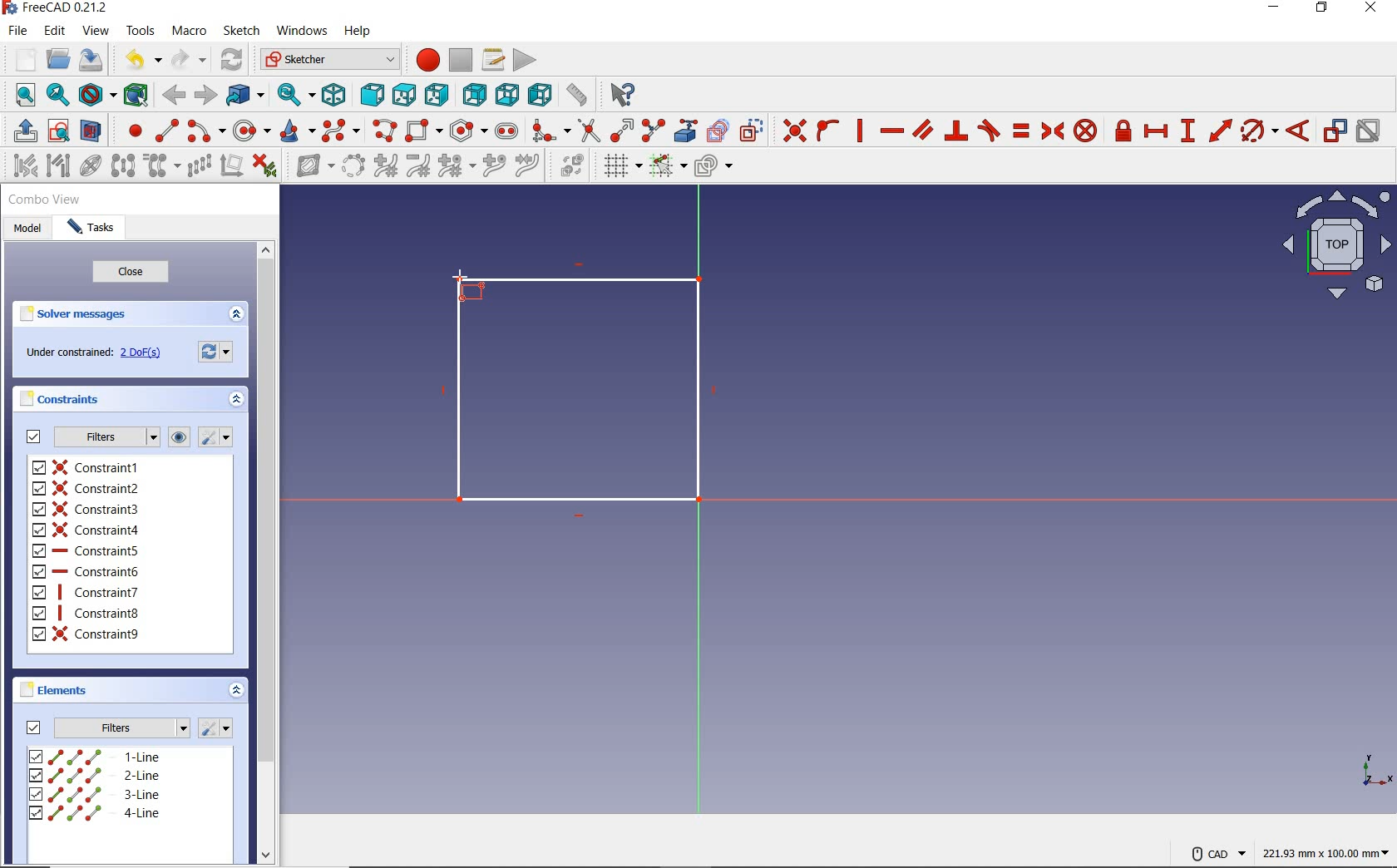 The image size is (1397, 868). What do you see at coordinates (86, 592) in the screenshot?
I see `constraint7` at bounding box center [86, 592].